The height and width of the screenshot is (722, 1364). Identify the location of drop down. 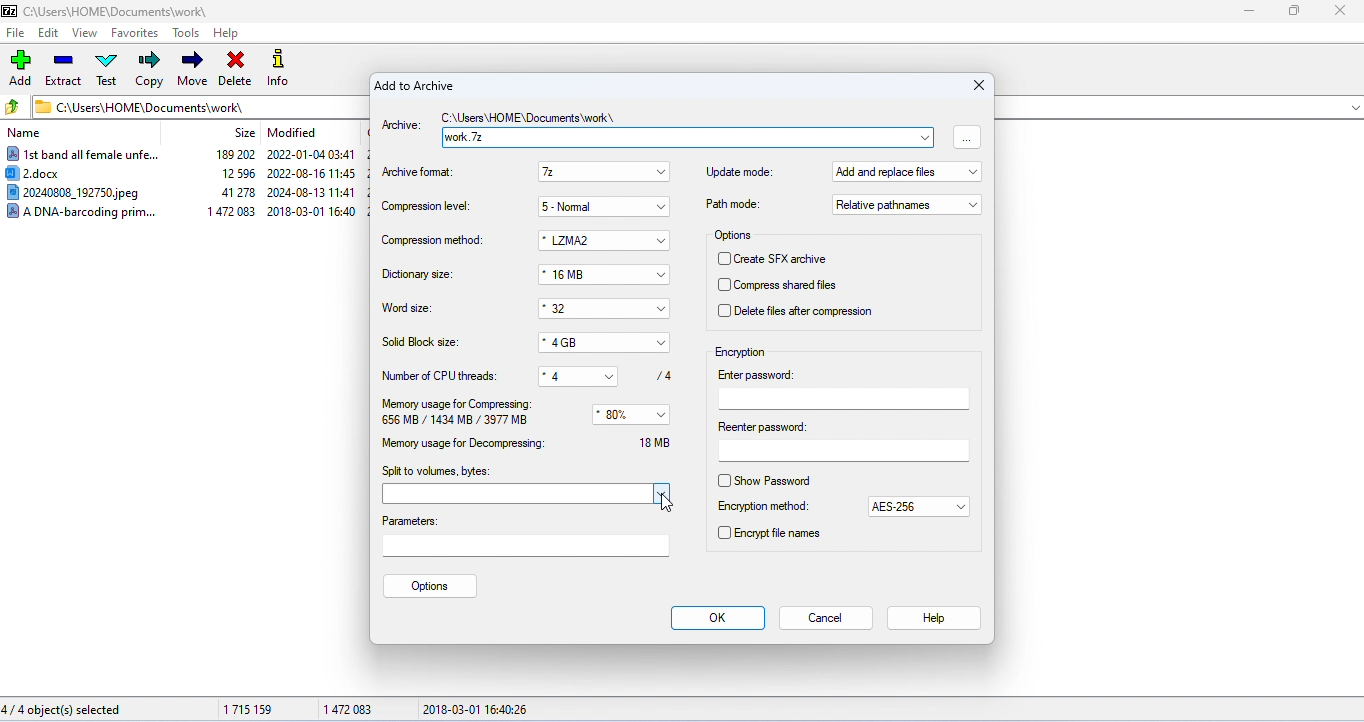
(665, 207).